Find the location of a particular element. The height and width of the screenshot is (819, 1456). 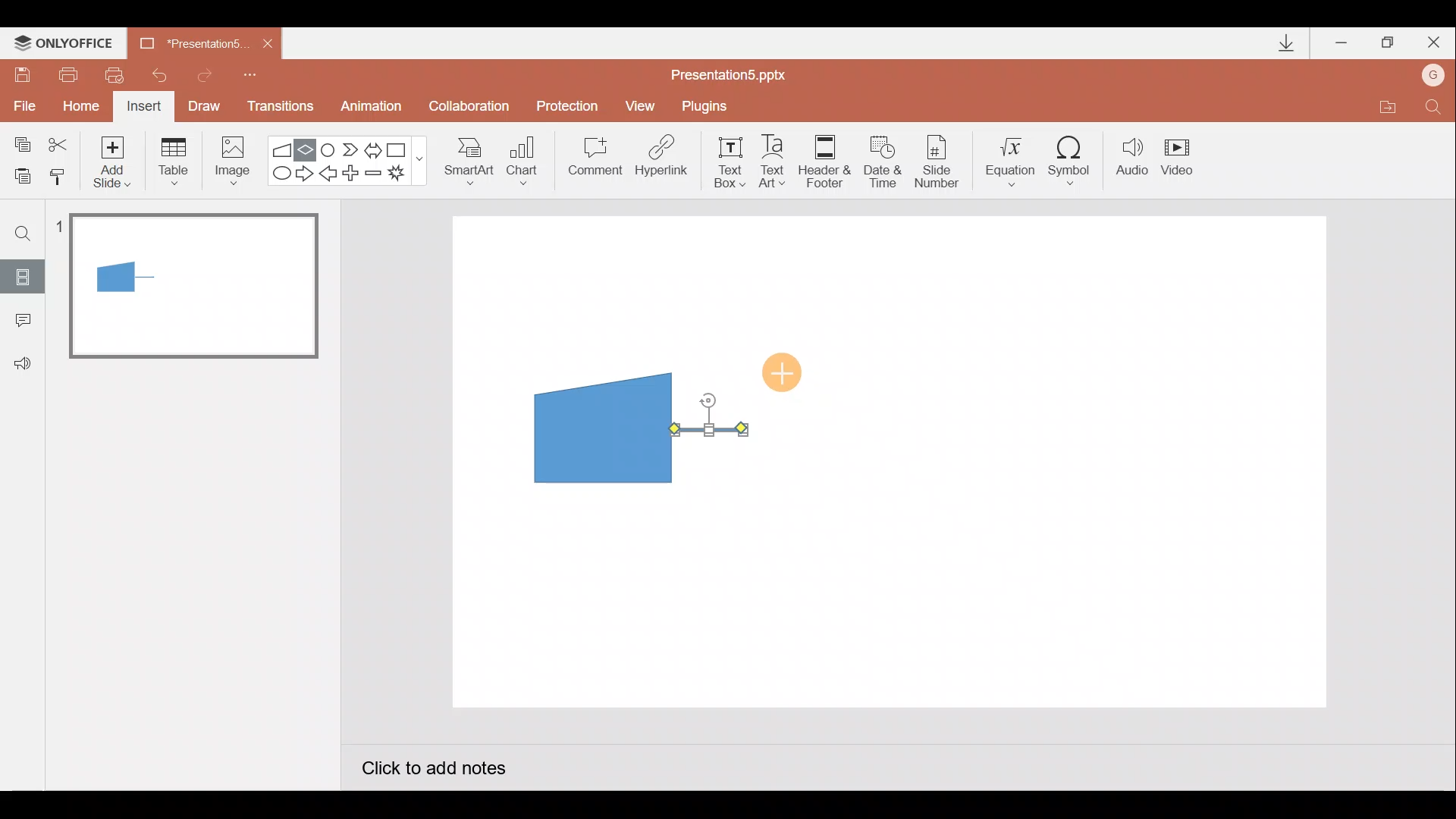

Copy style is located at coordinates (59, 174).